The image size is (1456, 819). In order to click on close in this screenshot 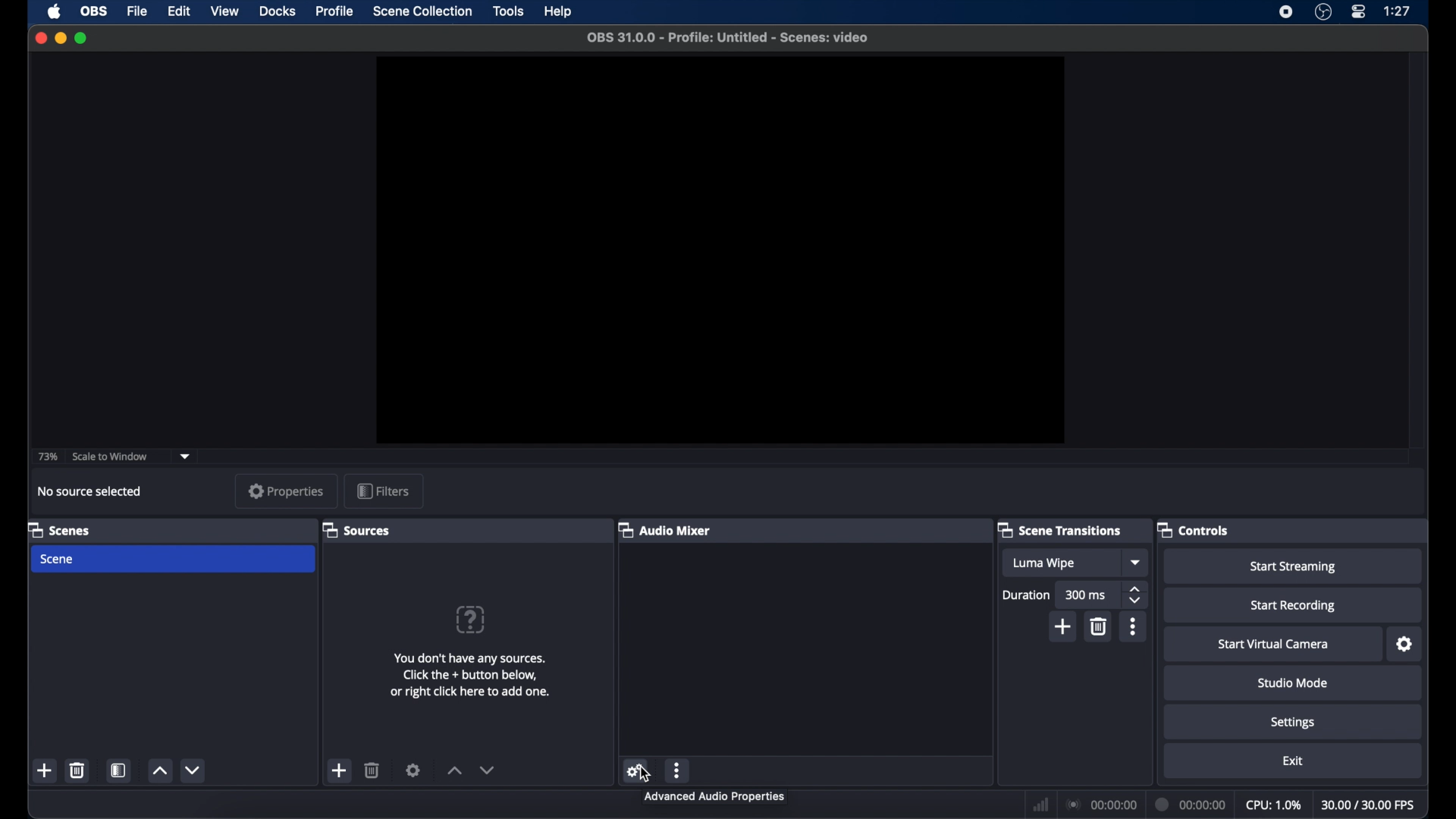, I will do `click(41, 38)`.